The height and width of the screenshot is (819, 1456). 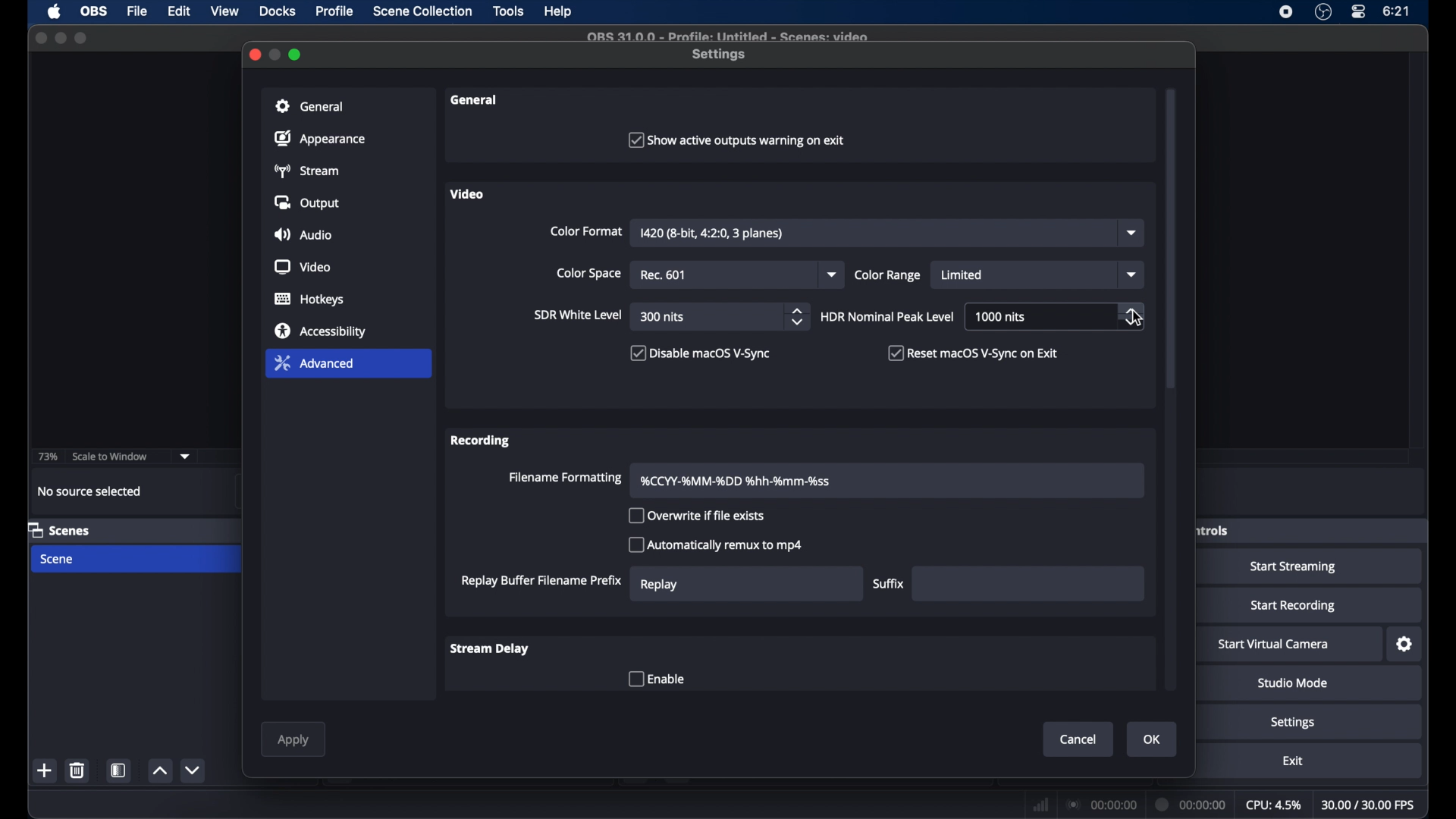 What do you see at coordinates (40, 37) in the screenshot?
I see `close` at bounding box center [40, 37].